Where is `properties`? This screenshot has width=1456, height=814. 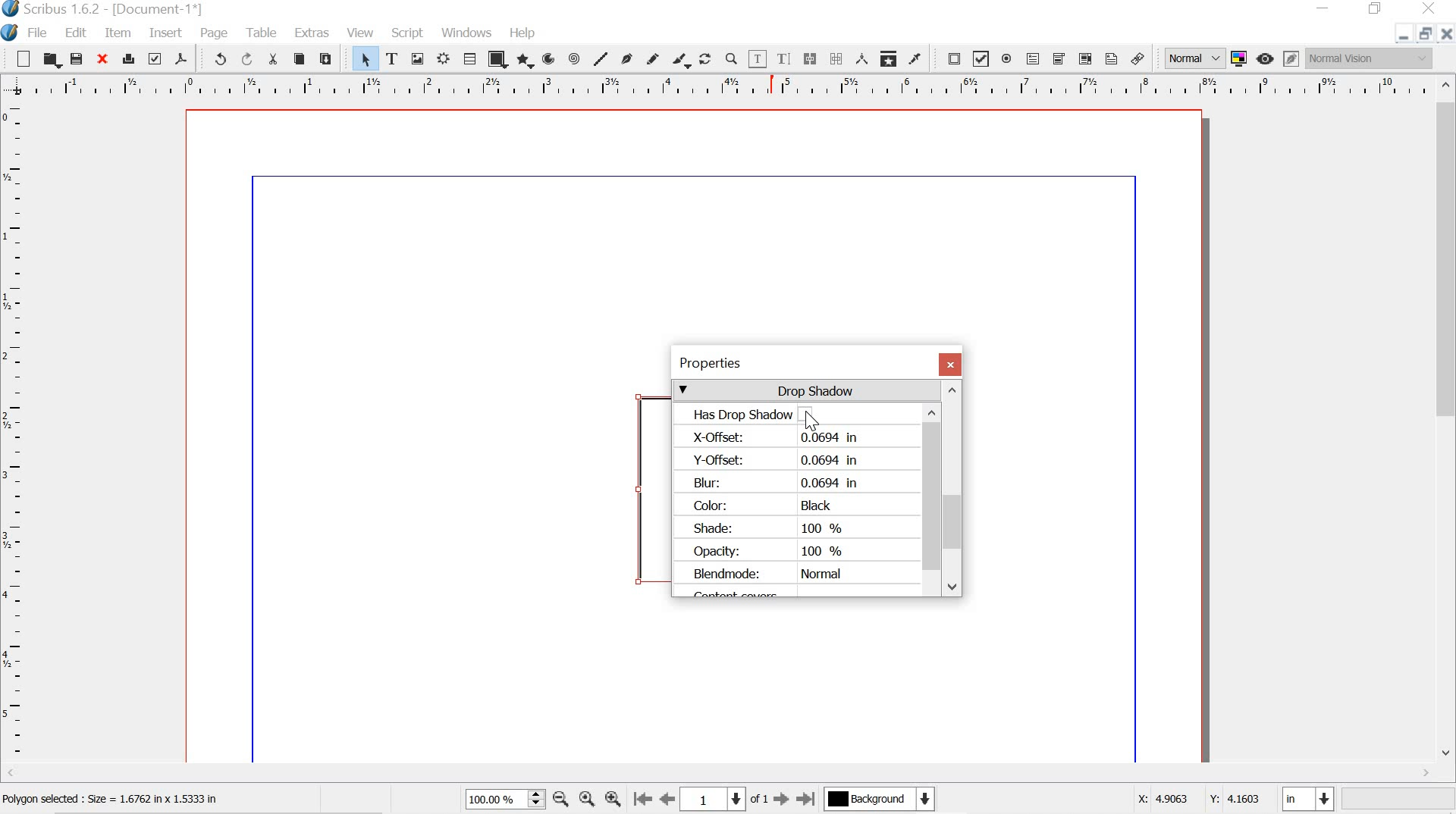 properties is located at coordinates (792, 363).